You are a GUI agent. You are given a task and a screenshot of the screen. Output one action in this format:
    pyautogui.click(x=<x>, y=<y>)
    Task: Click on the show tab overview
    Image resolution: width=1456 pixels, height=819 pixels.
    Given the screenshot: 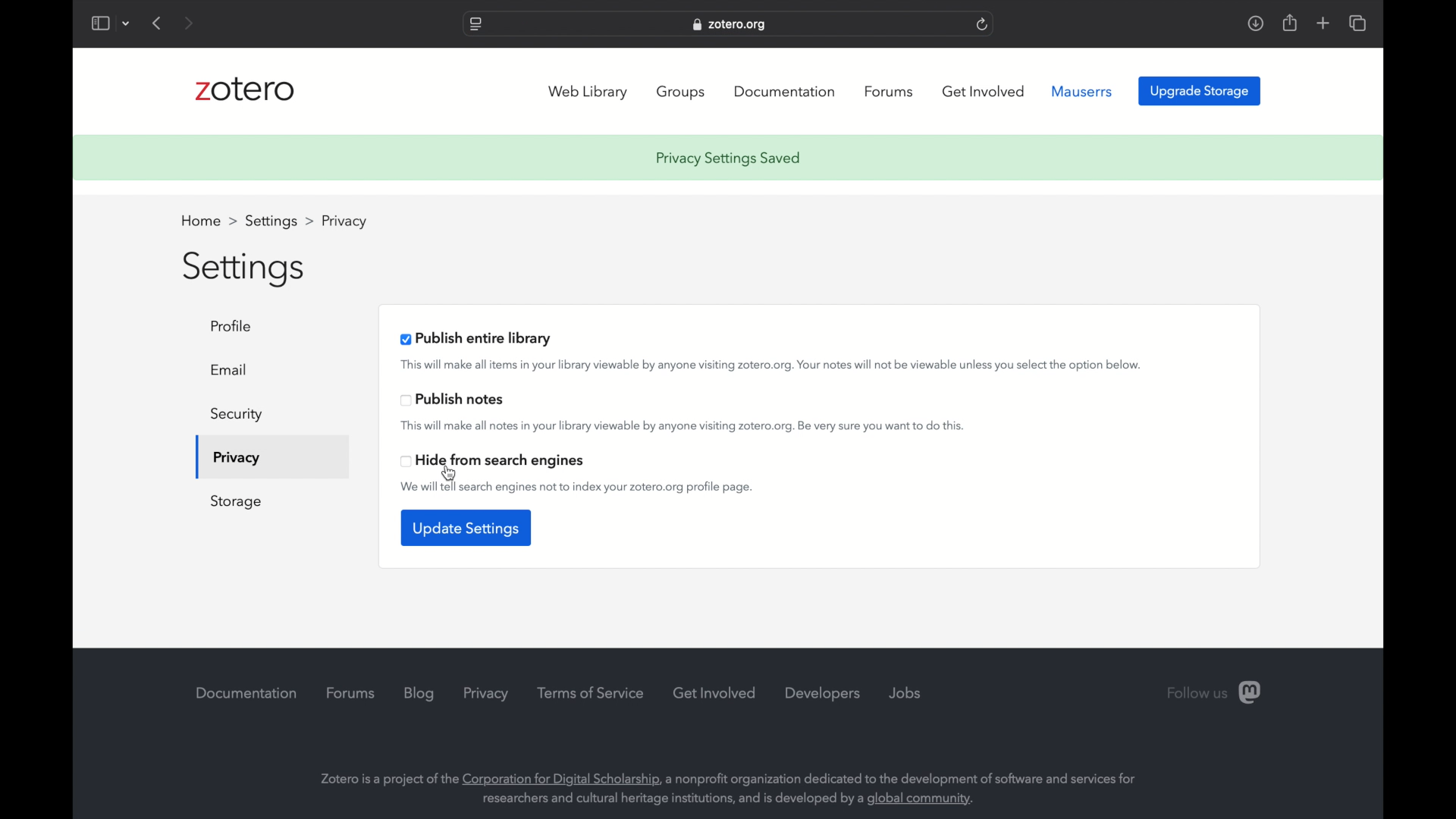 What is the action you would take?
    pyautogui.click(x=1359, y=23)
    